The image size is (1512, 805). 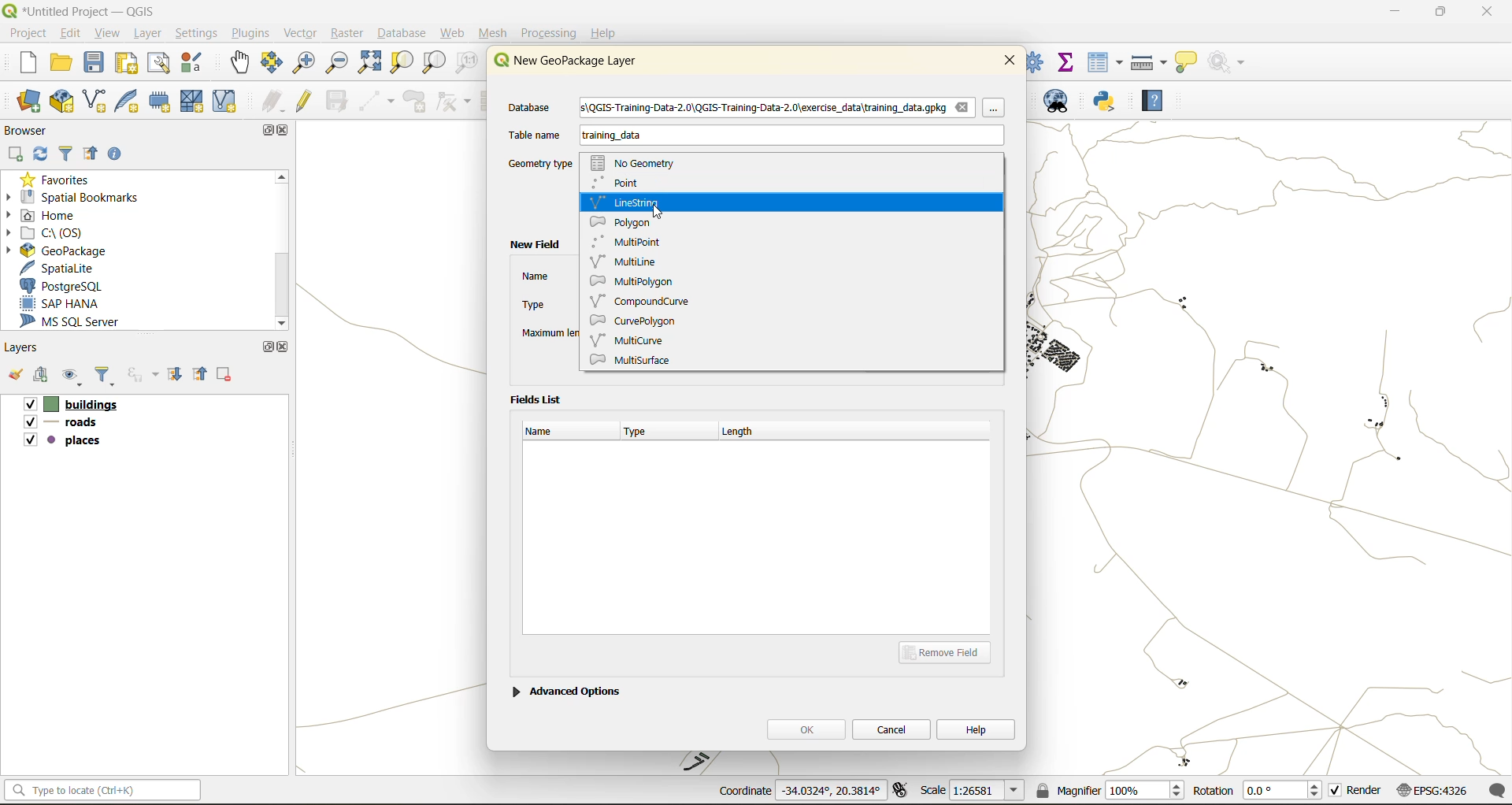 What do you see at coordinates (59, 232) in the screenshot?
I see `c\:os` at bounding box center [59, 232].